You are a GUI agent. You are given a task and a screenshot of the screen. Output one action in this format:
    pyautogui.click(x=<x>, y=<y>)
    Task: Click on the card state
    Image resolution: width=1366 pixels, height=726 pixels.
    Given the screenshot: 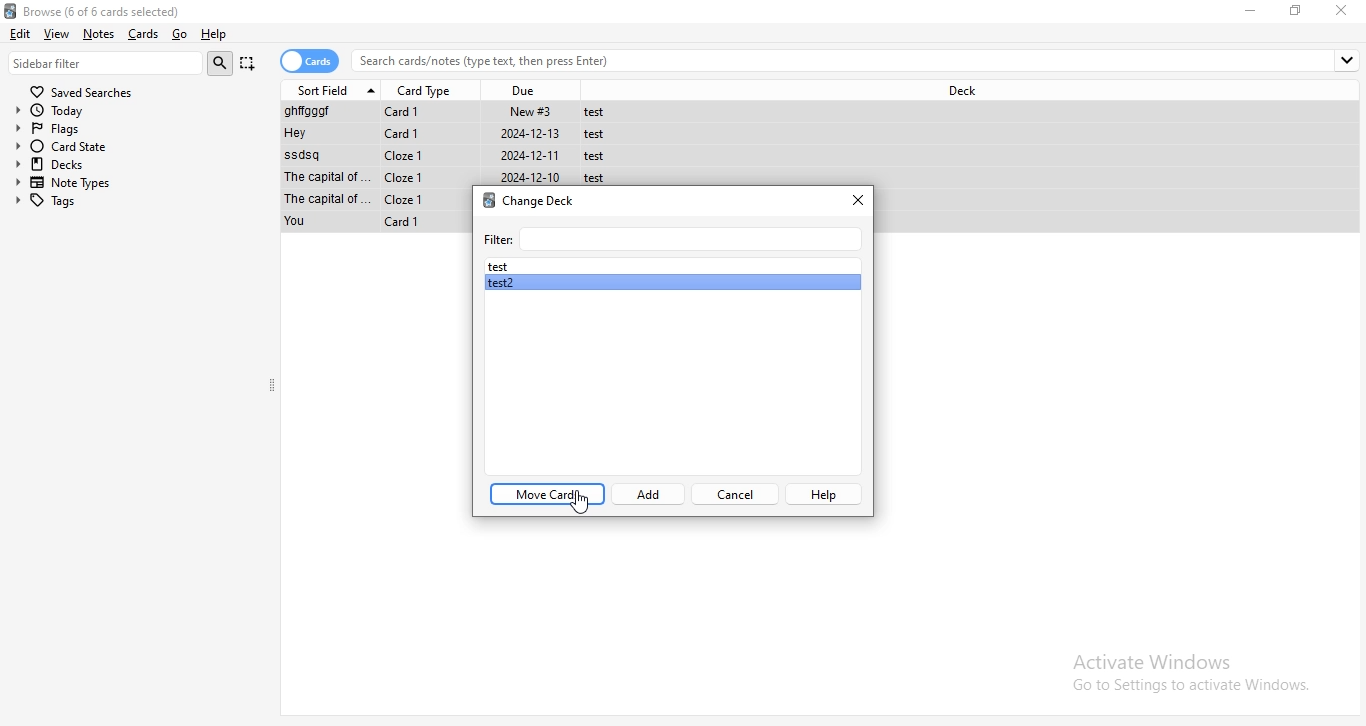 What is the action you would take?
    pyautogui.click(x=134, y=147)
    